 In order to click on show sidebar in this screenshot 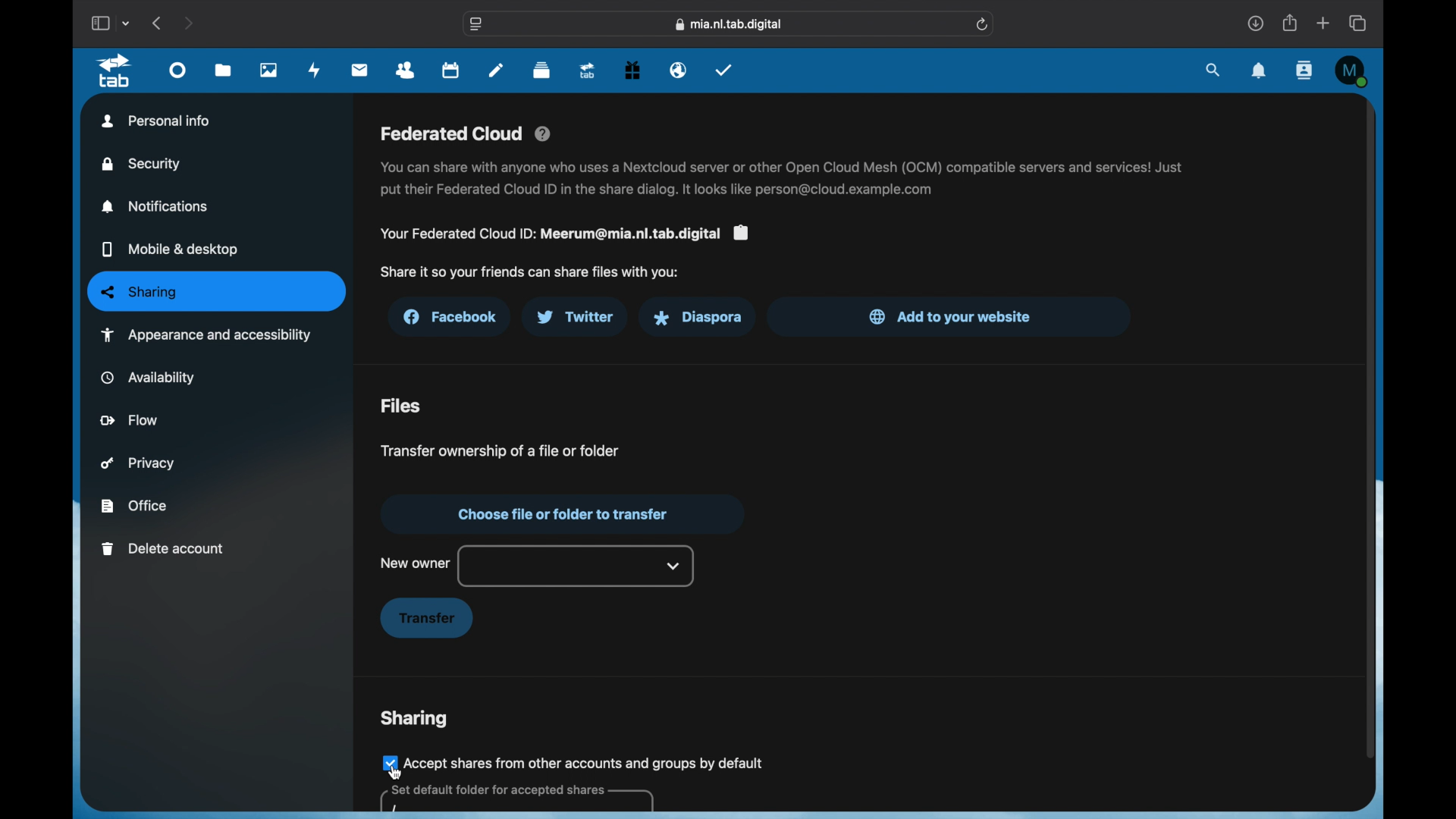, I will do `click(99, 23)`.